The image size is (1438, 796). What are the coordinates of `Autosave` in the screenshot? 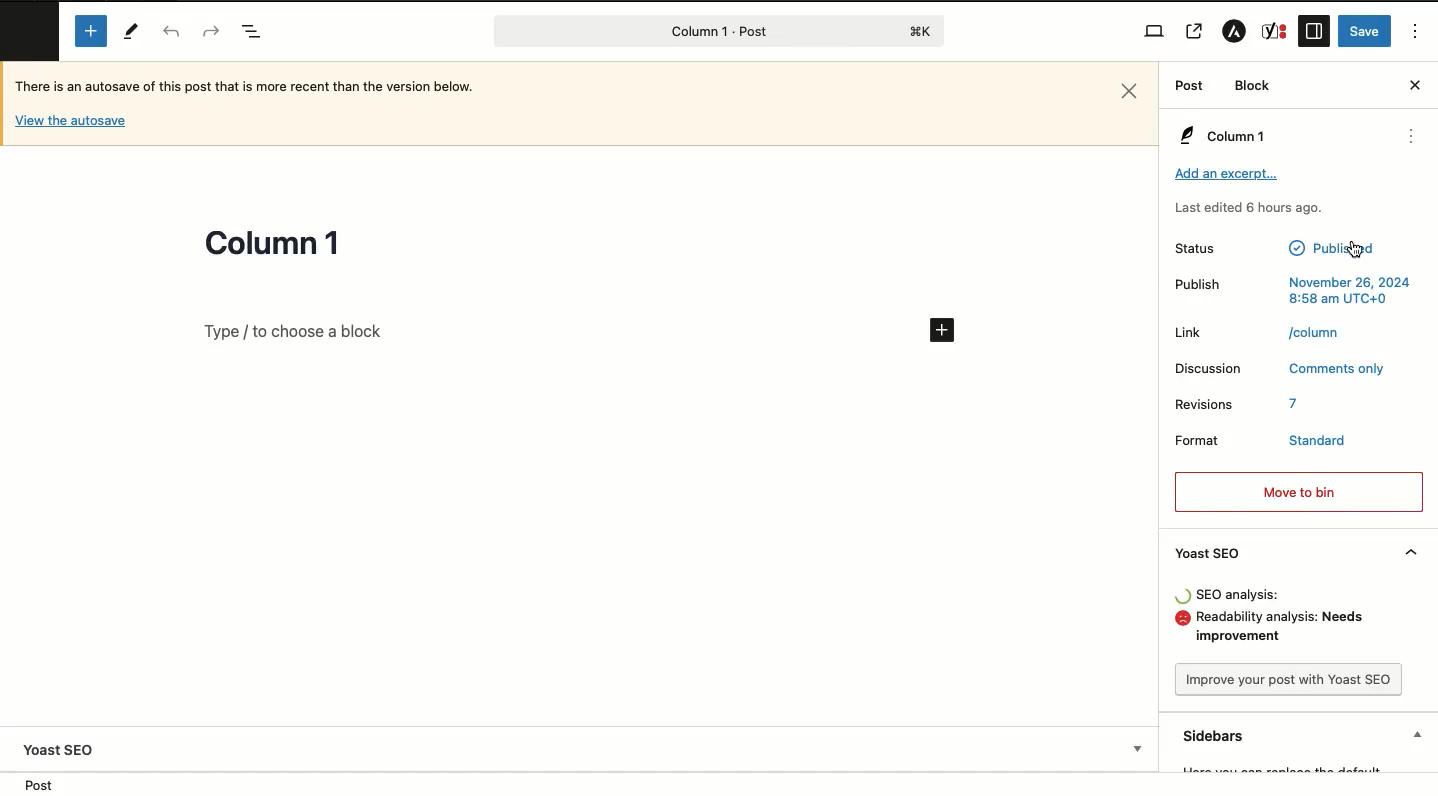 It's located at (71, 120).